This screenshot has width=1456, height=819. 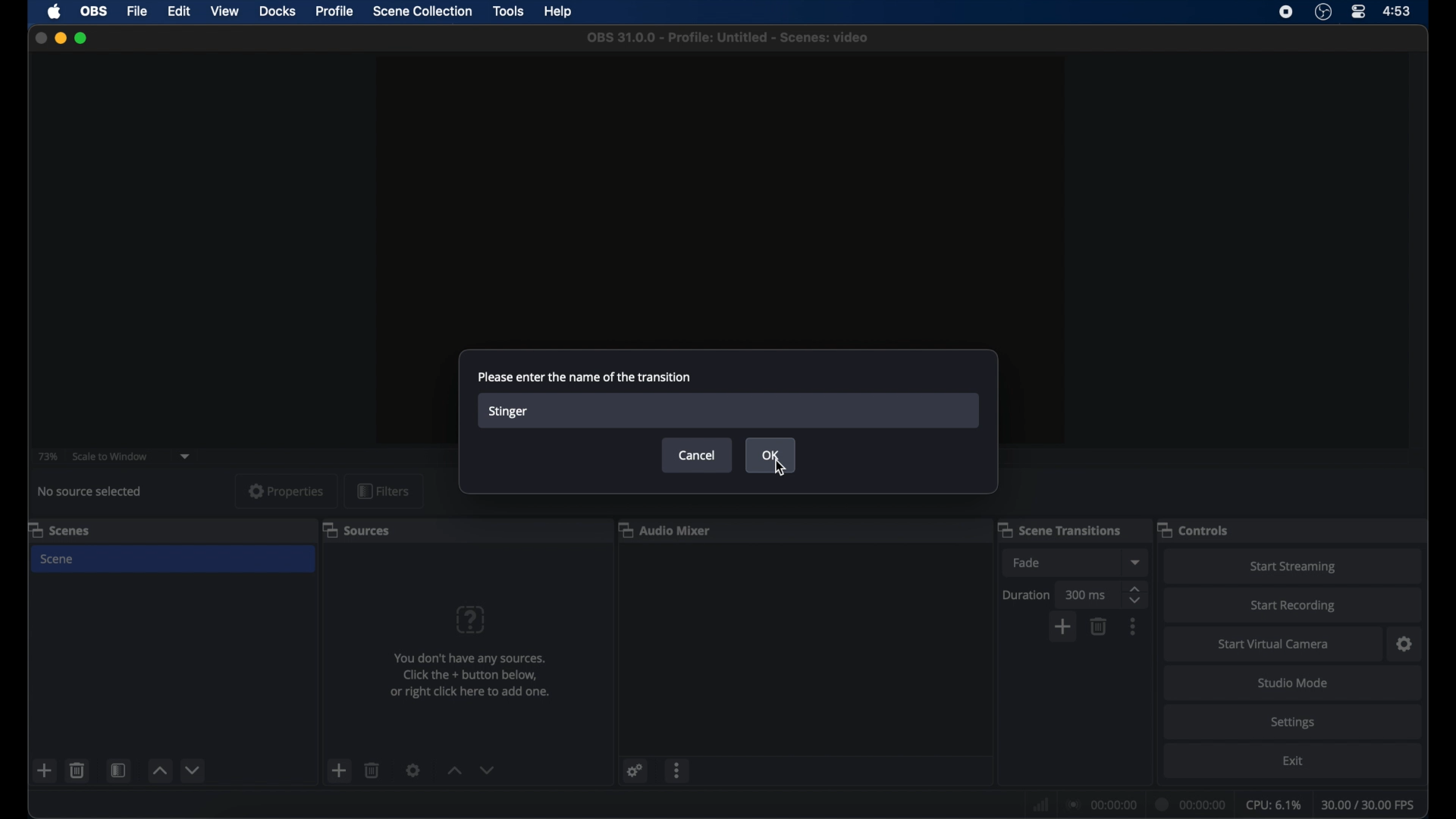 What do you see at coordinates (159, 772) in the screenshot?
I see `increment` at bounding box center [159, 772].